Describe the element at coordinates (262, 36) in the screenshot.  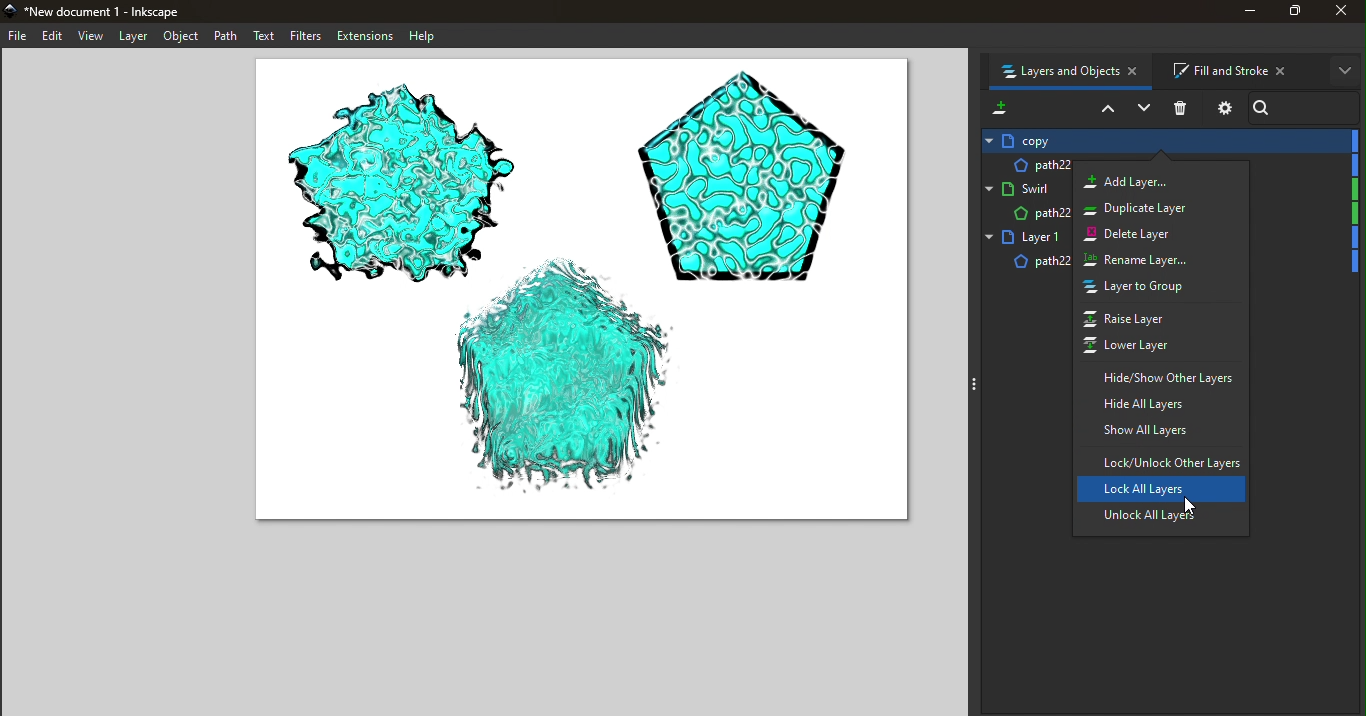
I see `Text` at that location.